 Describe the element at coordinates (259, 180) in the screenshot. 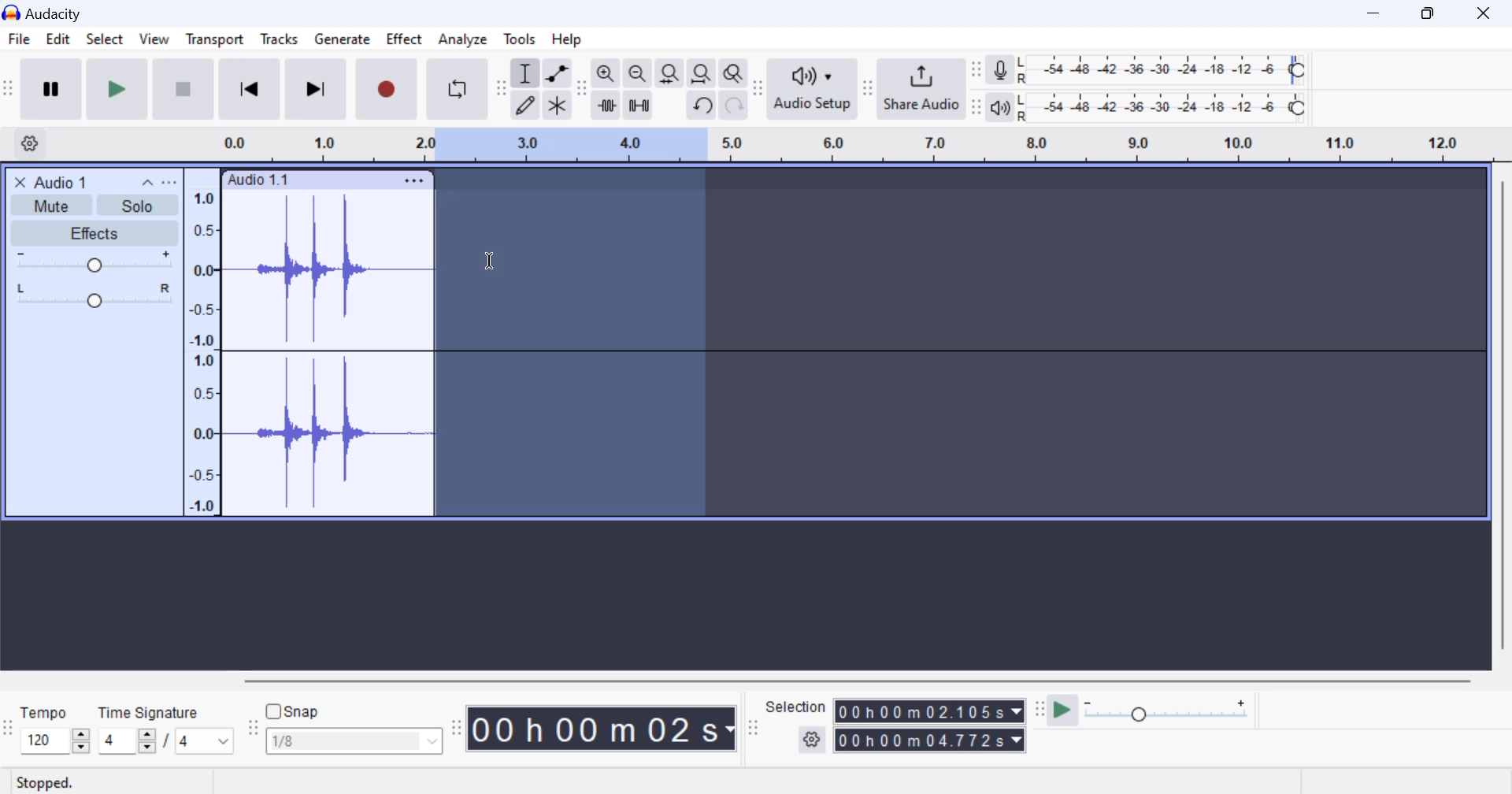

I see `Clip Label` at that location.